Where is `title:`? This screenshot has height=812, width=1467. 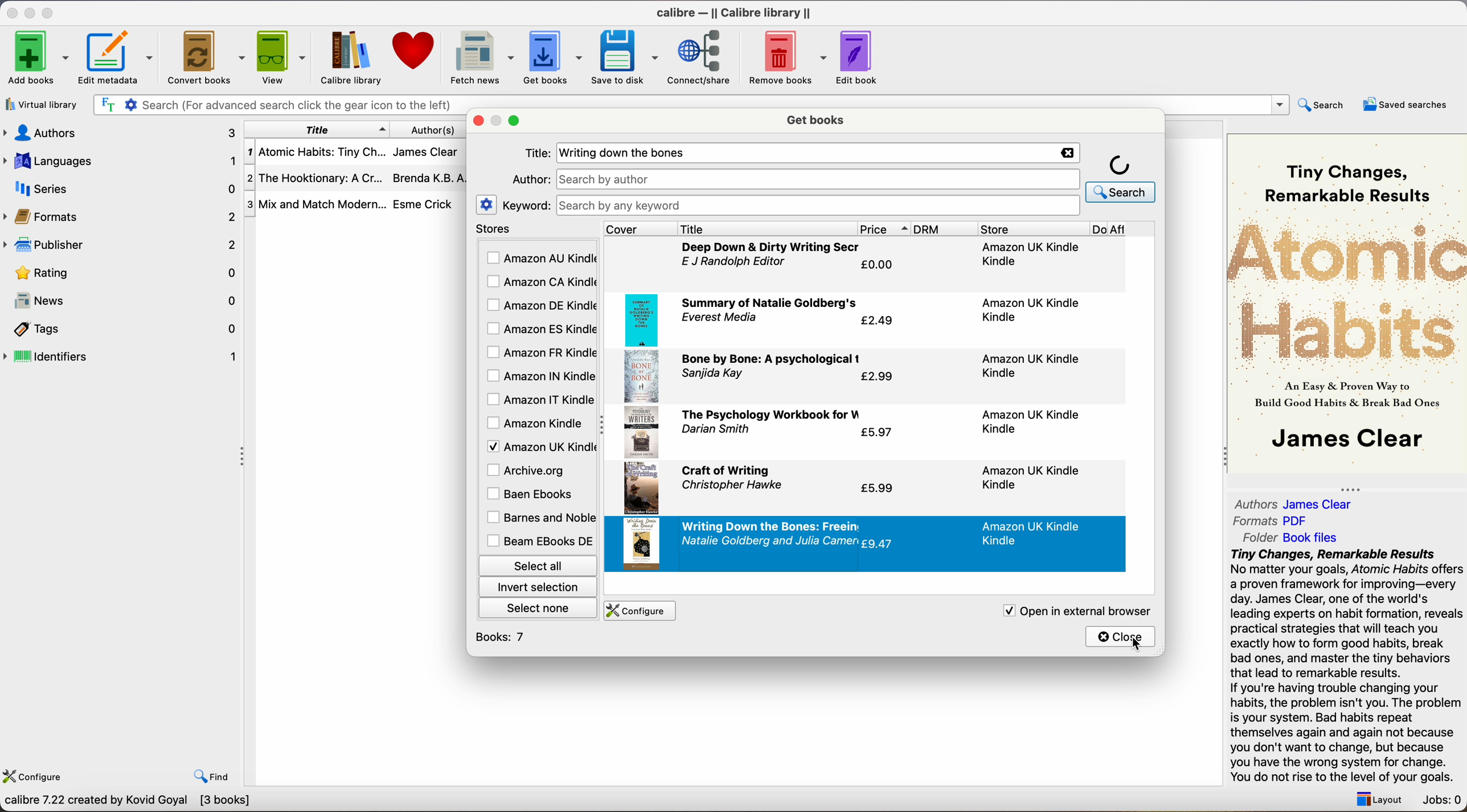
title: is located at coordinates (537, 154).